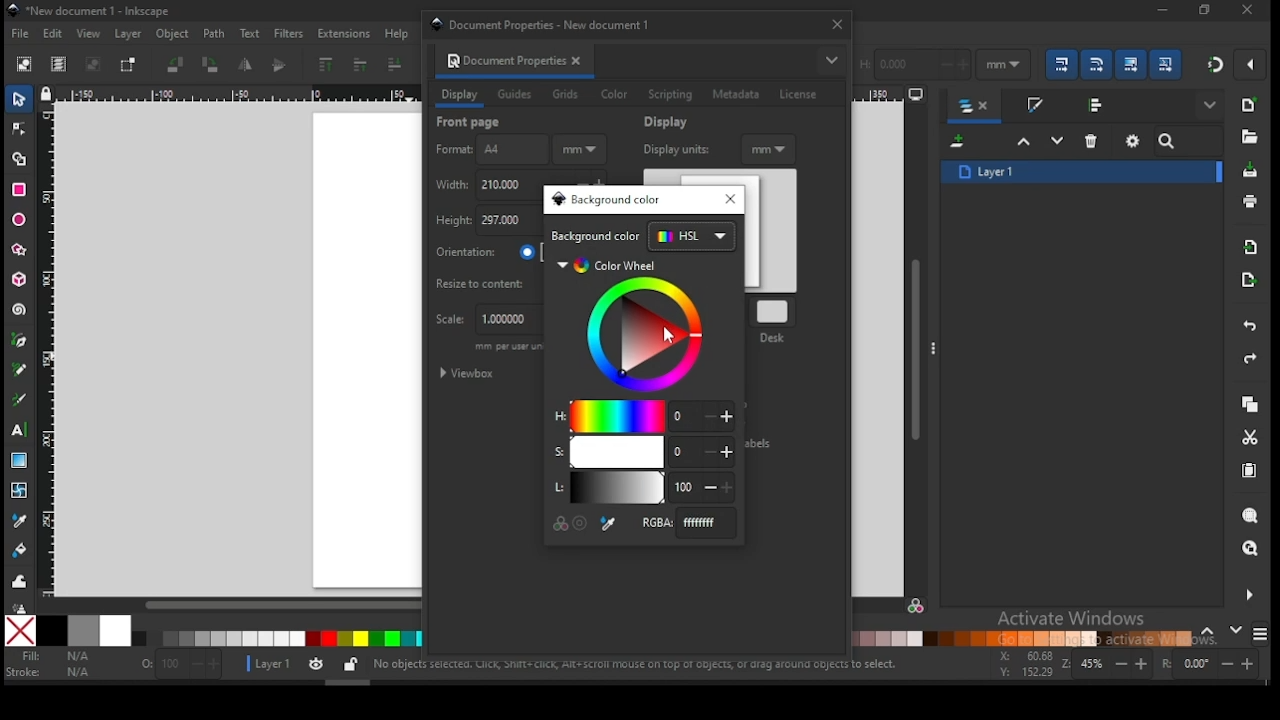 This screenshot has height=720, width=1280. What do you see at coordinates (1248, 279) in the screenshot?
I see `open export` at bounding box center [1248, 279].